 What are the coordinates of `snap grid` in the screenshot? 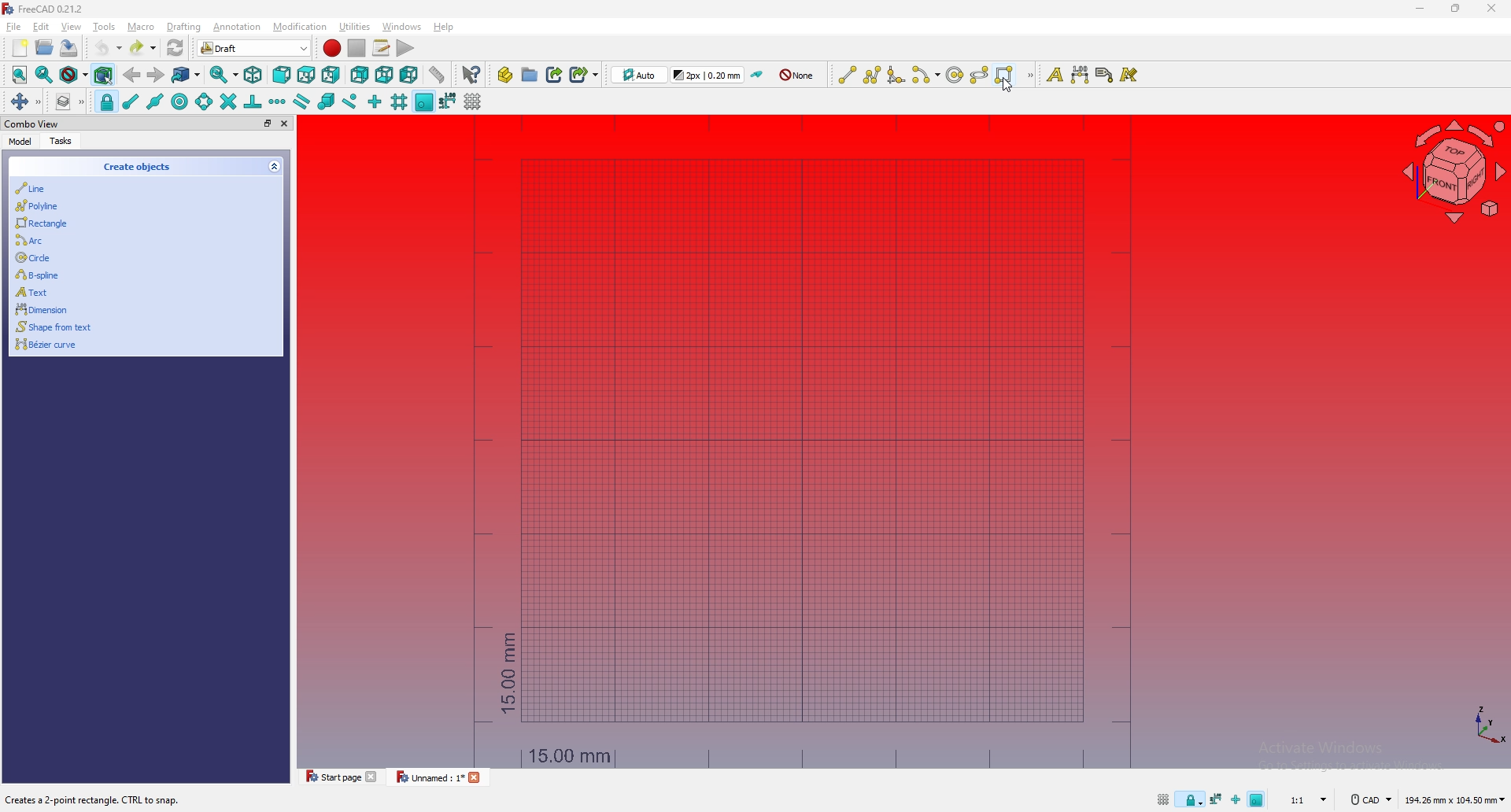 It's located at (399, 101).